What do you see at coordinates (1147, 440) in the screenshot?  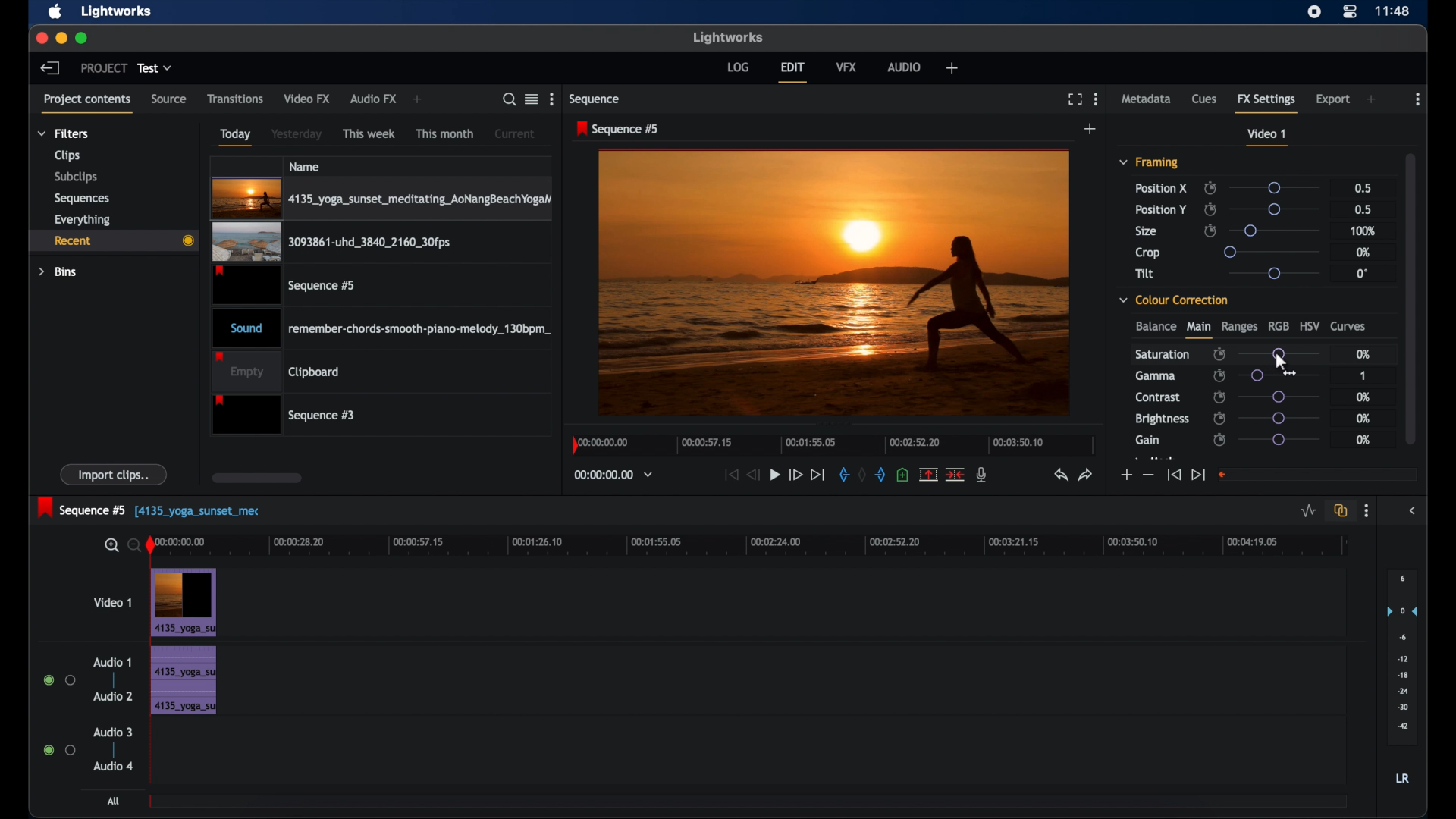 I see `gain` at bounding box center [1147, 440].